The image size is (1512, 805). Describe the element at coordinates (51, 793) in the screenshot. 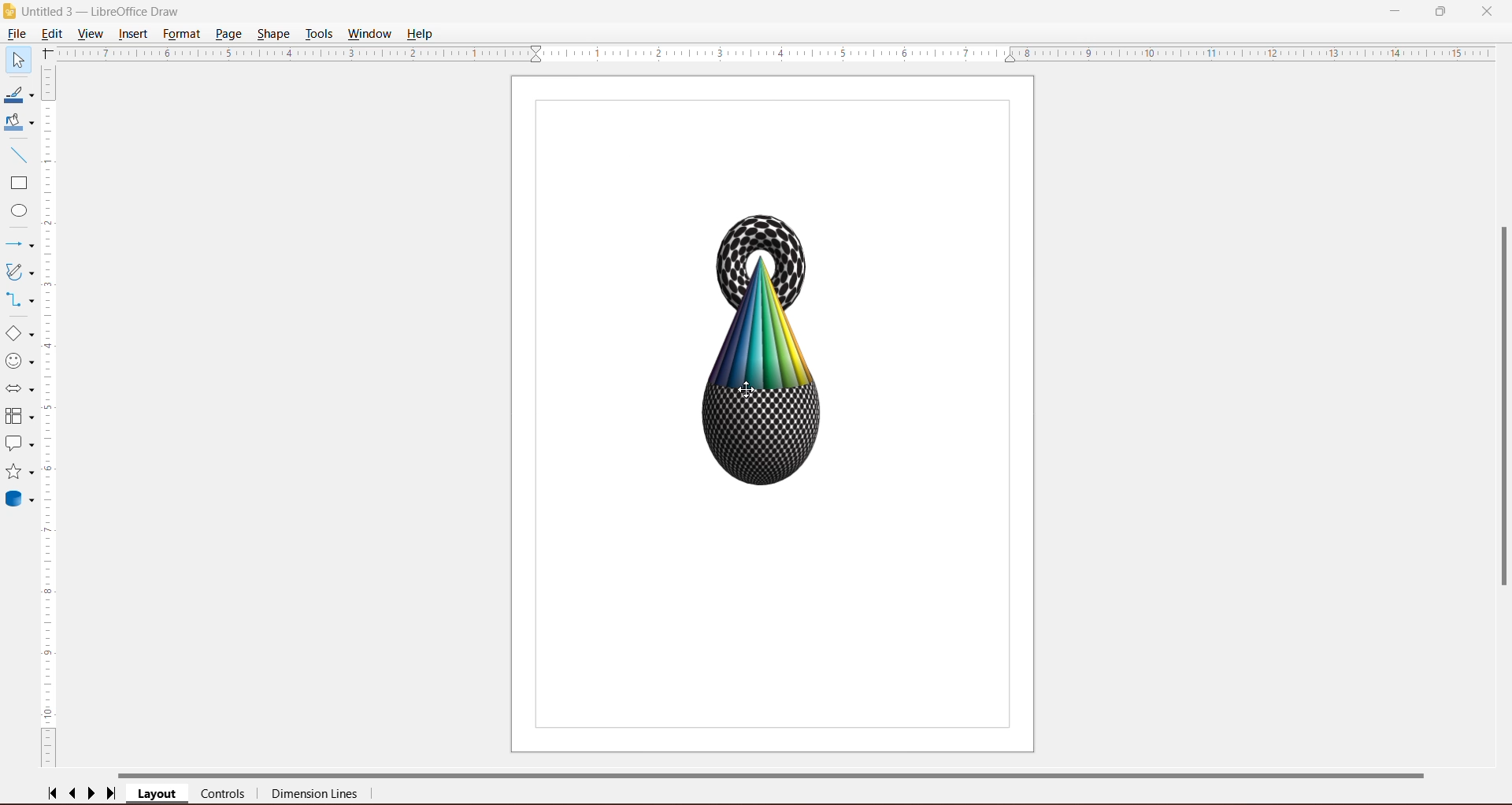

I see `` at that location.